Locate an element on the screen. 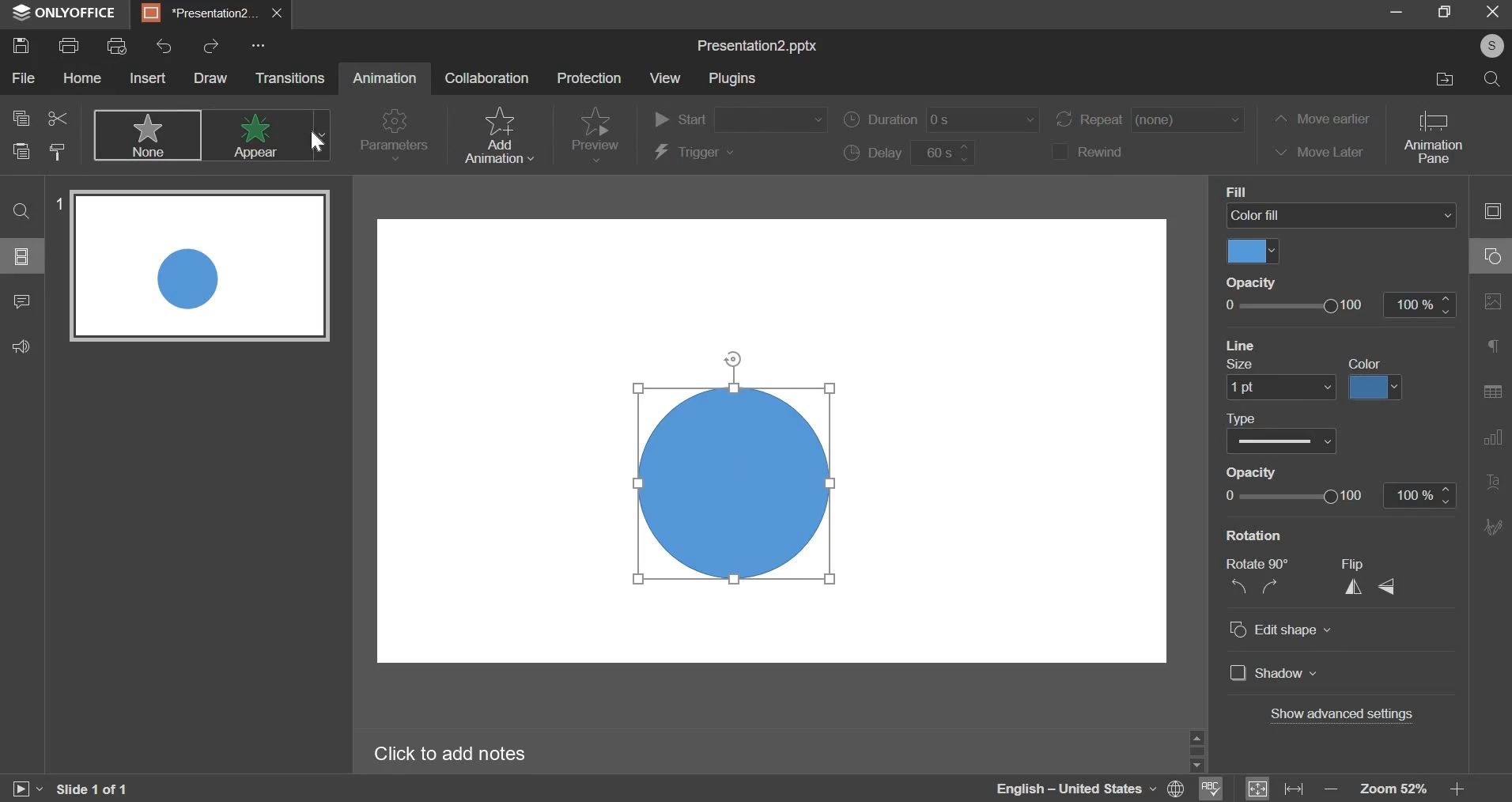  move earlier is located at coordinates (1324, 118).